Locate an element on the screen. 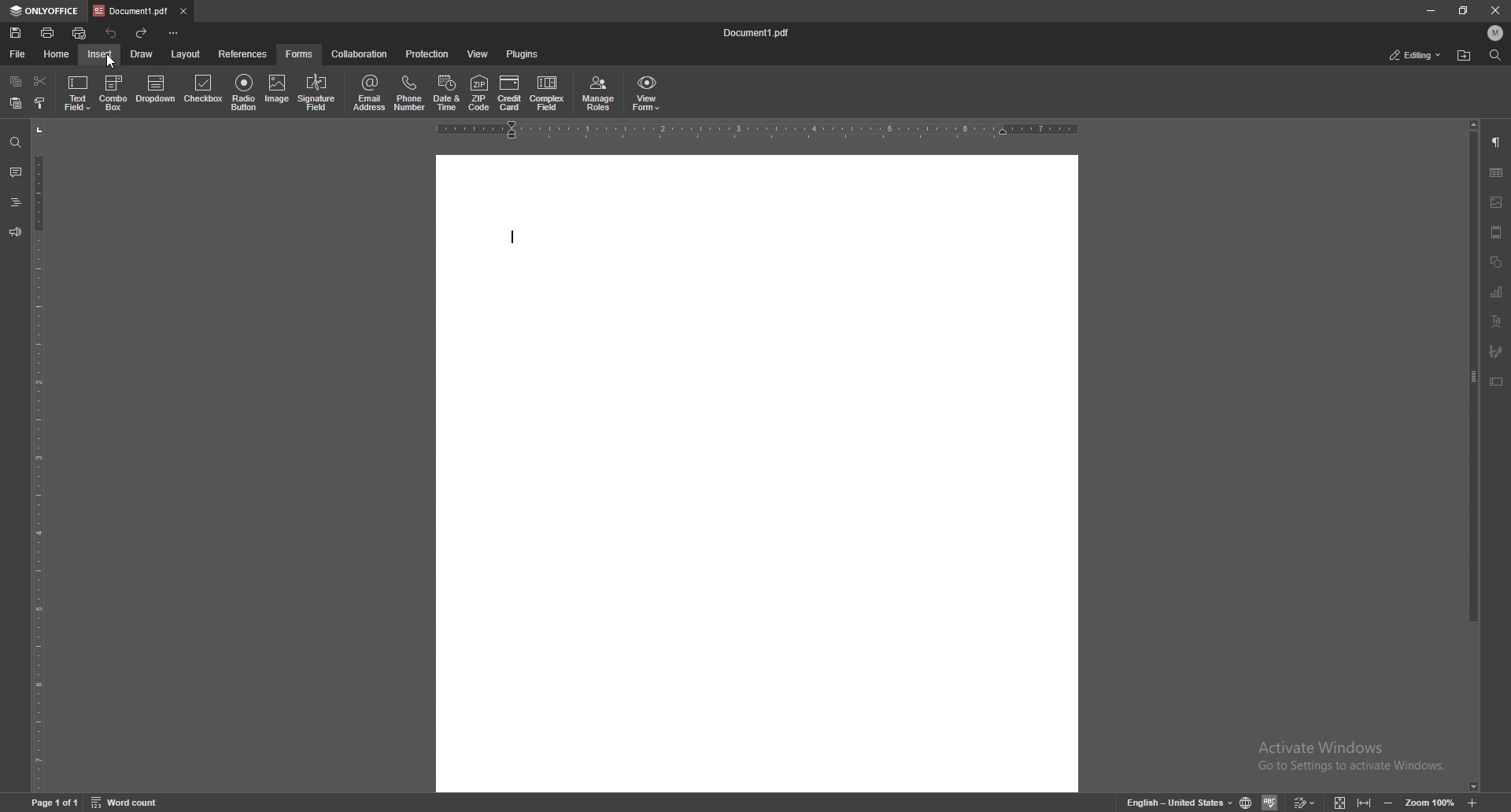  print is located at coordinates (49, 33).